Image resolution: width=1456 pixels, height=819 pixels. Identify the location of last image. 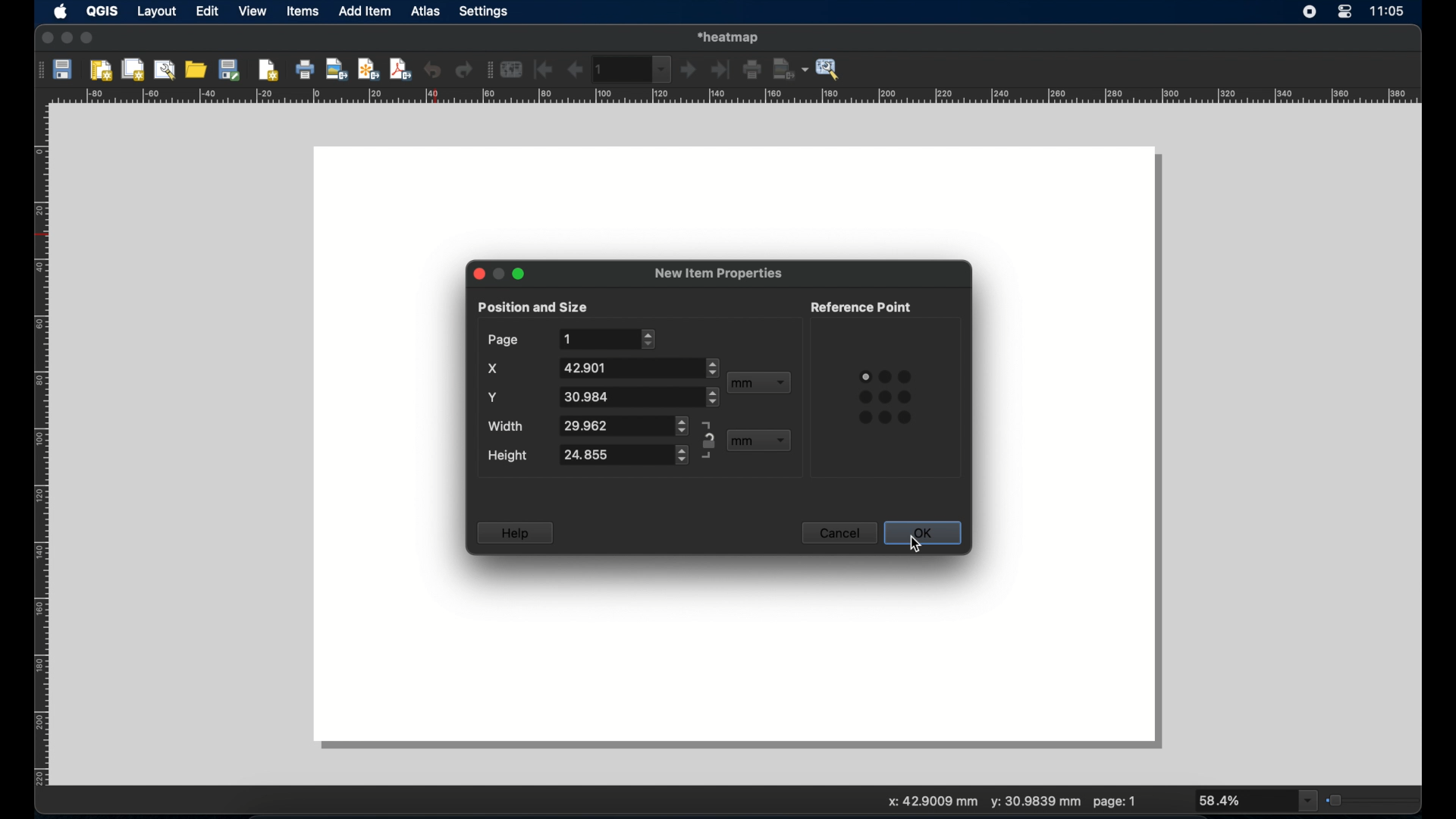
(723, 71).